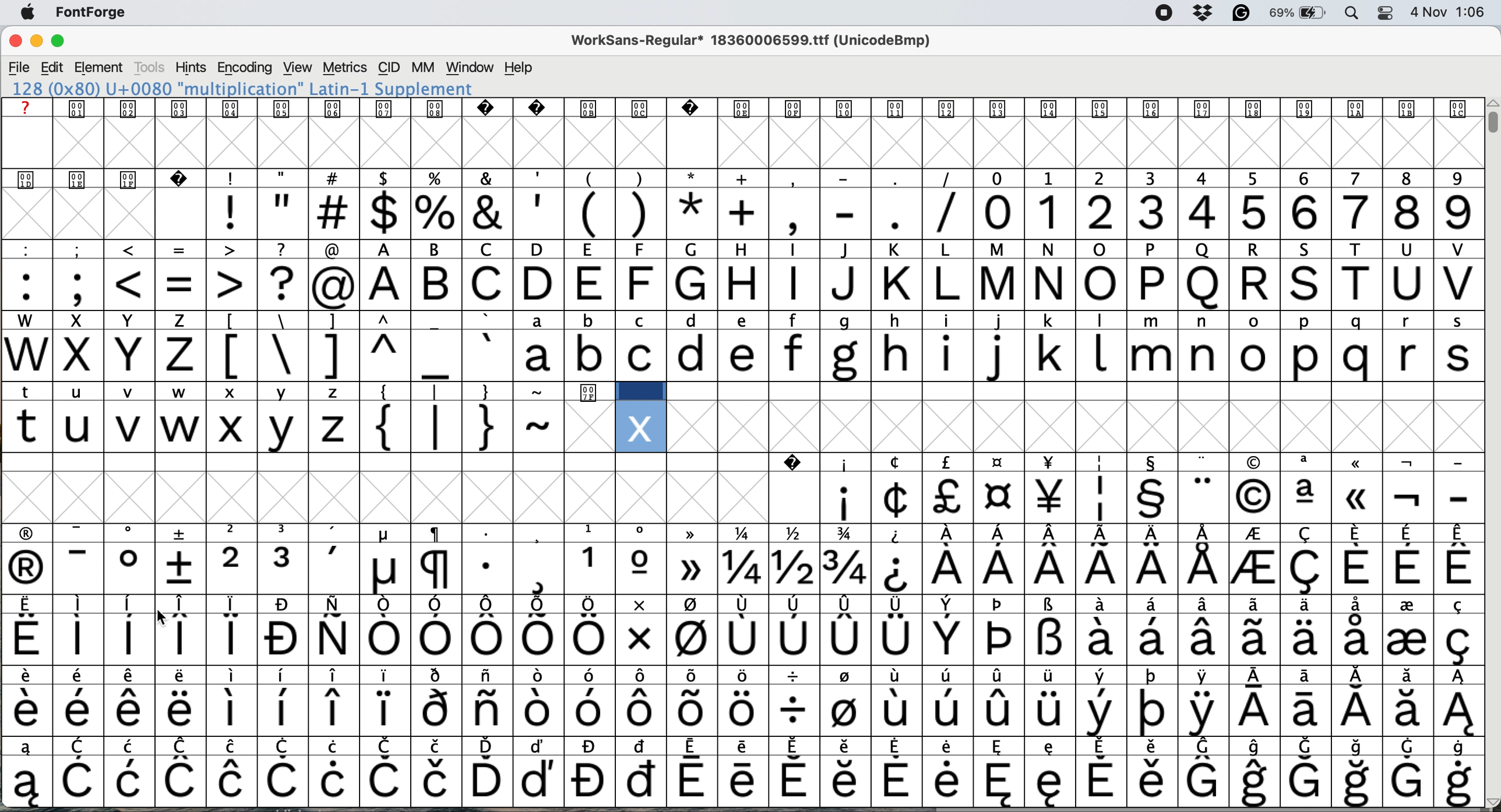  What do you see at coordinates (740, 569) in the screenshot?
I see `special characters` at bounding box center [740, 569].